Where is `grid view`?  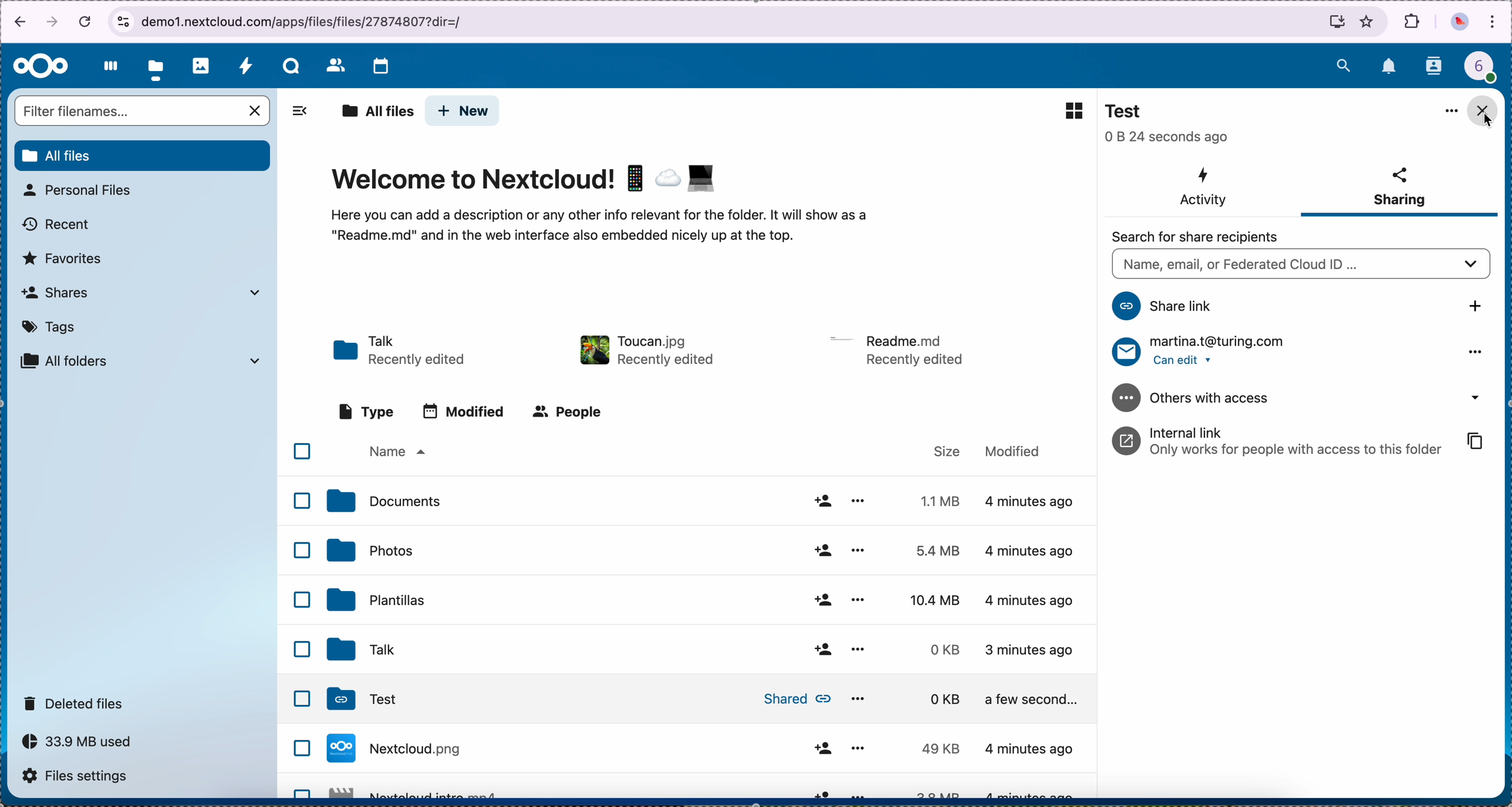
grid view is located at coordinates (1068, 110).